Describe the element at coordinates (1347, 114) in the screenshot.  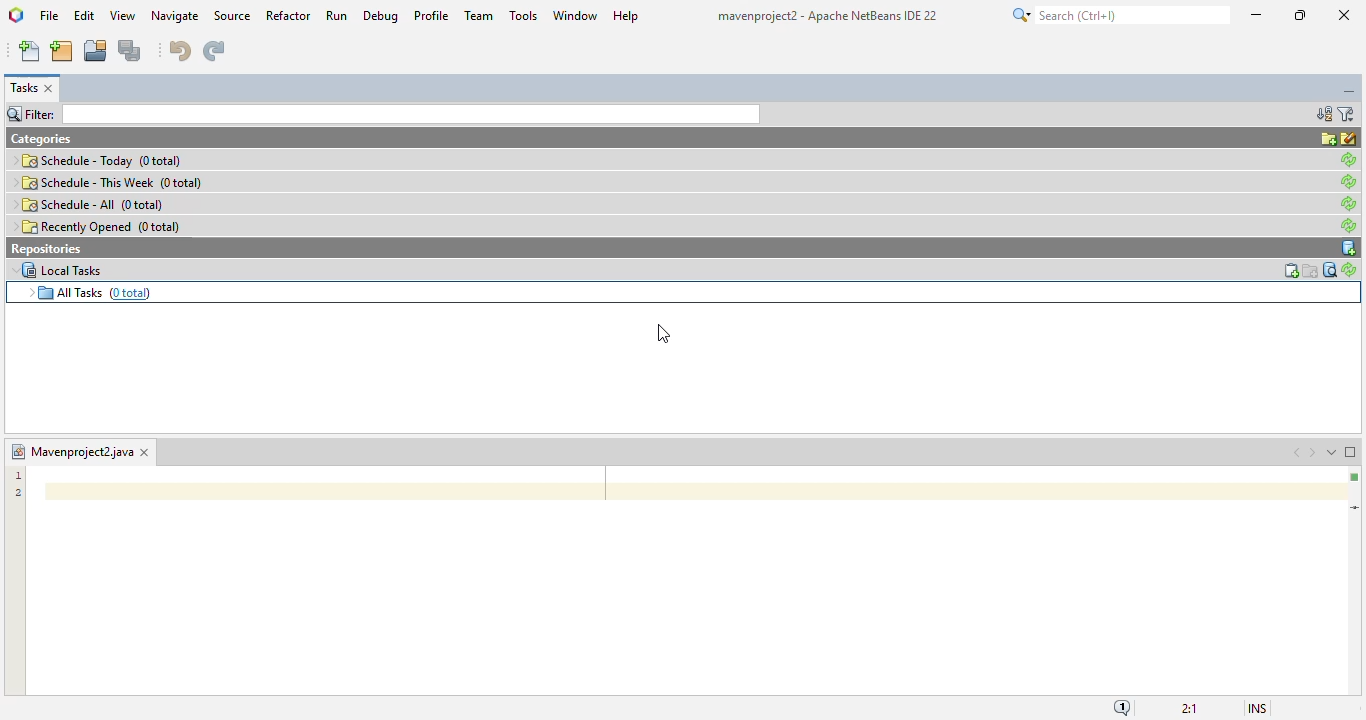
I see `set tasks window filter` at that location.